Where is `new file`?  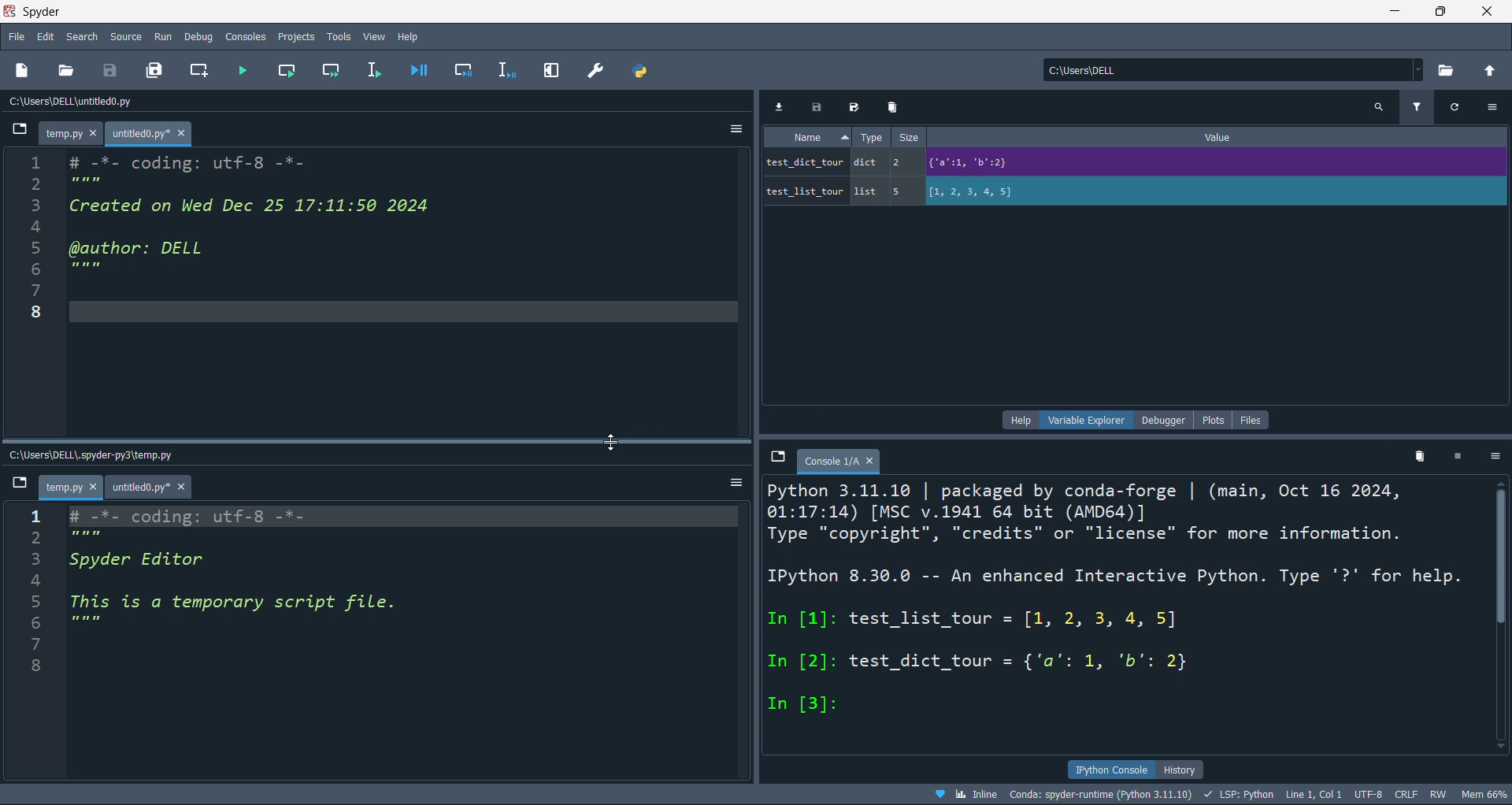 new file is located at coordinates (31, 69).